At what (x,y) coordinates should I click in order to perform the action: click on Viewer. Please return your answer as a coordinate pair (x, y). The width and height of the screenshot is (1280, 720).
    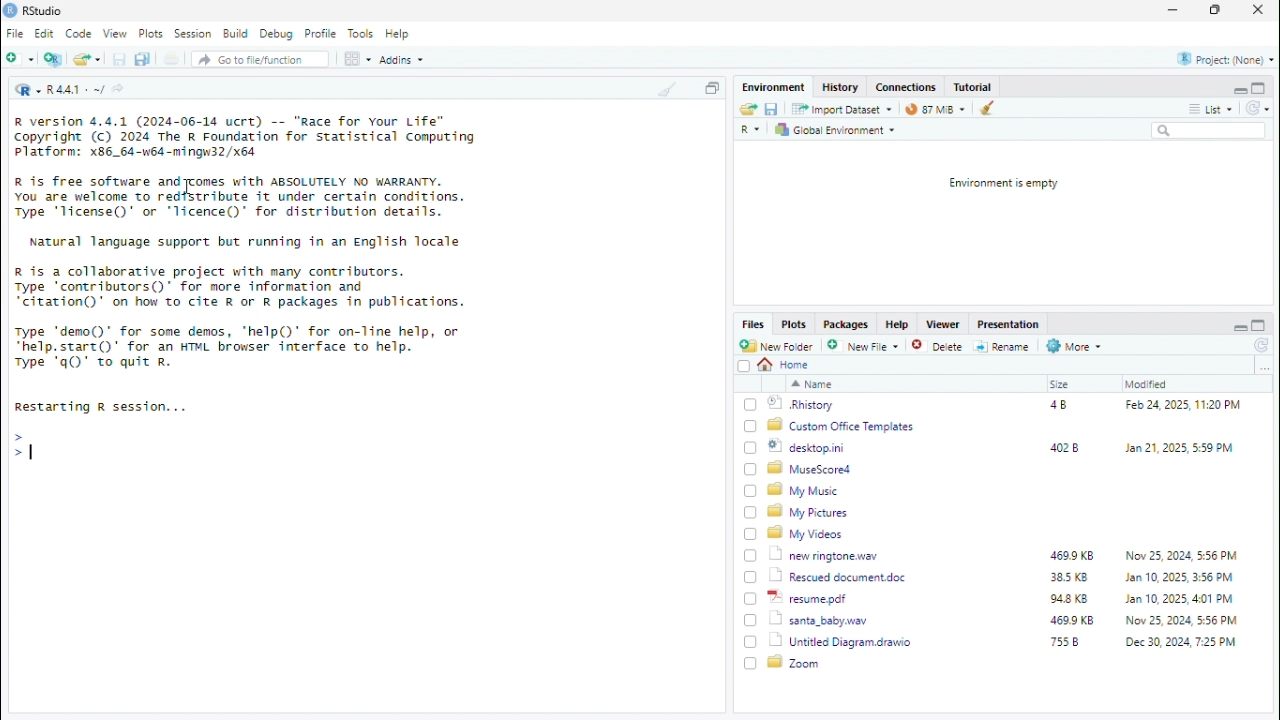
    Looking at the image, I should click on (944, 323).